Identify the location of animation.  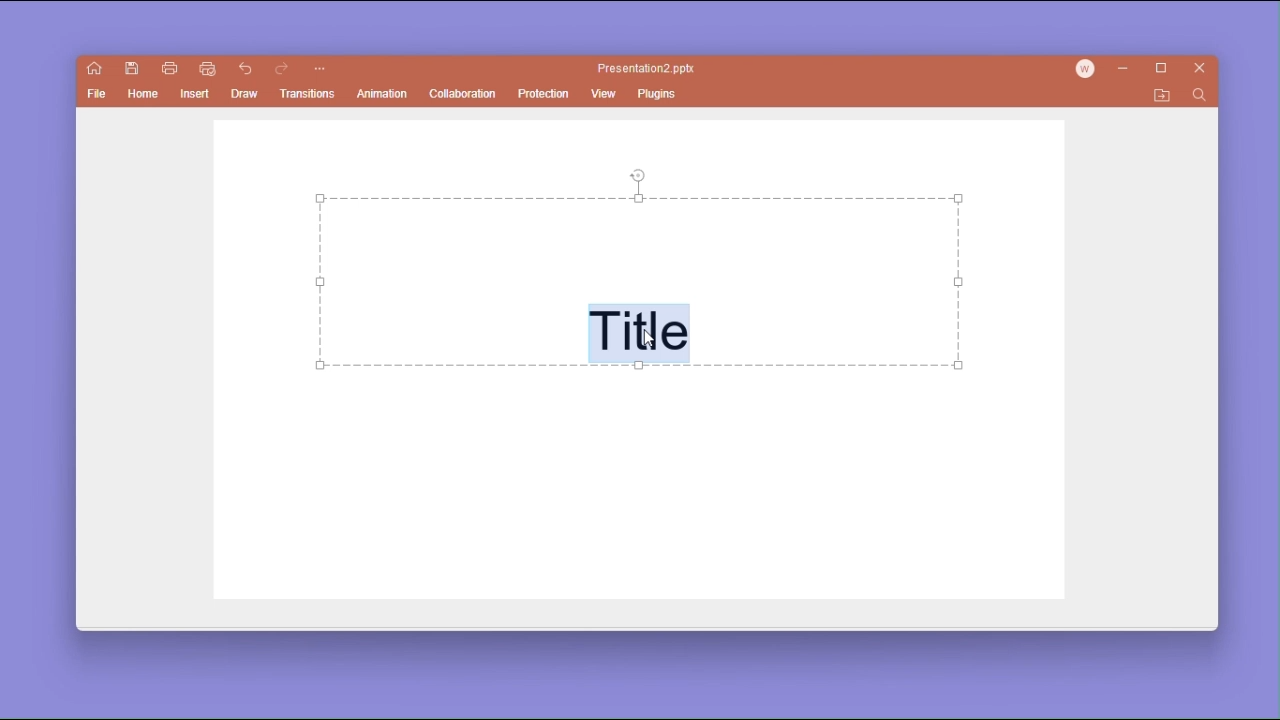
(383, 95).